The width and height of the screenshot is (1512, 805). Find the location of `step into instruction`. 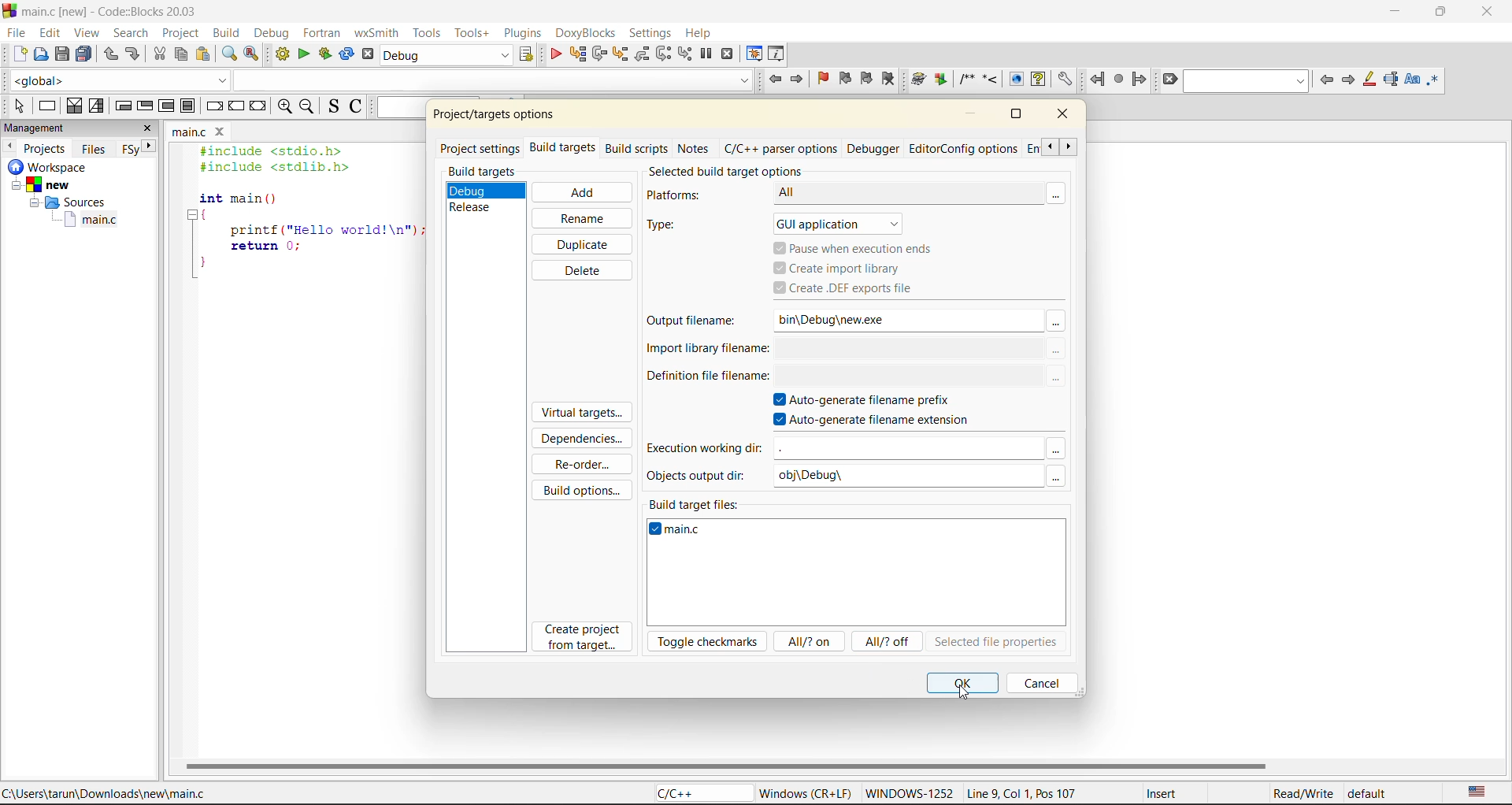

step into instruction is located at coordinates (686, 54).